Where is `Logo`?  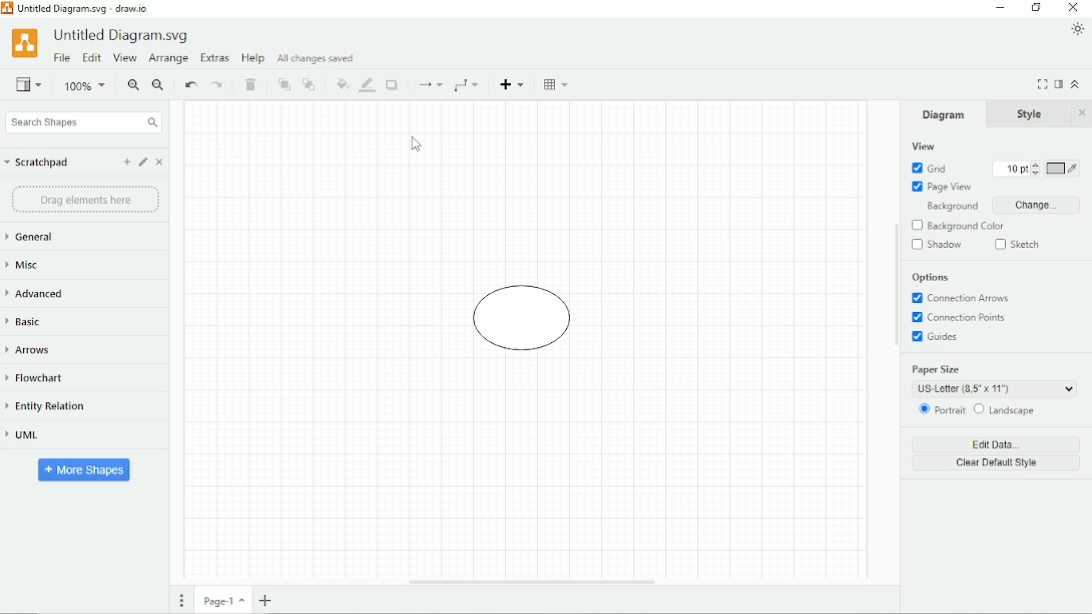
Logo is located at coordinates (25, 44).